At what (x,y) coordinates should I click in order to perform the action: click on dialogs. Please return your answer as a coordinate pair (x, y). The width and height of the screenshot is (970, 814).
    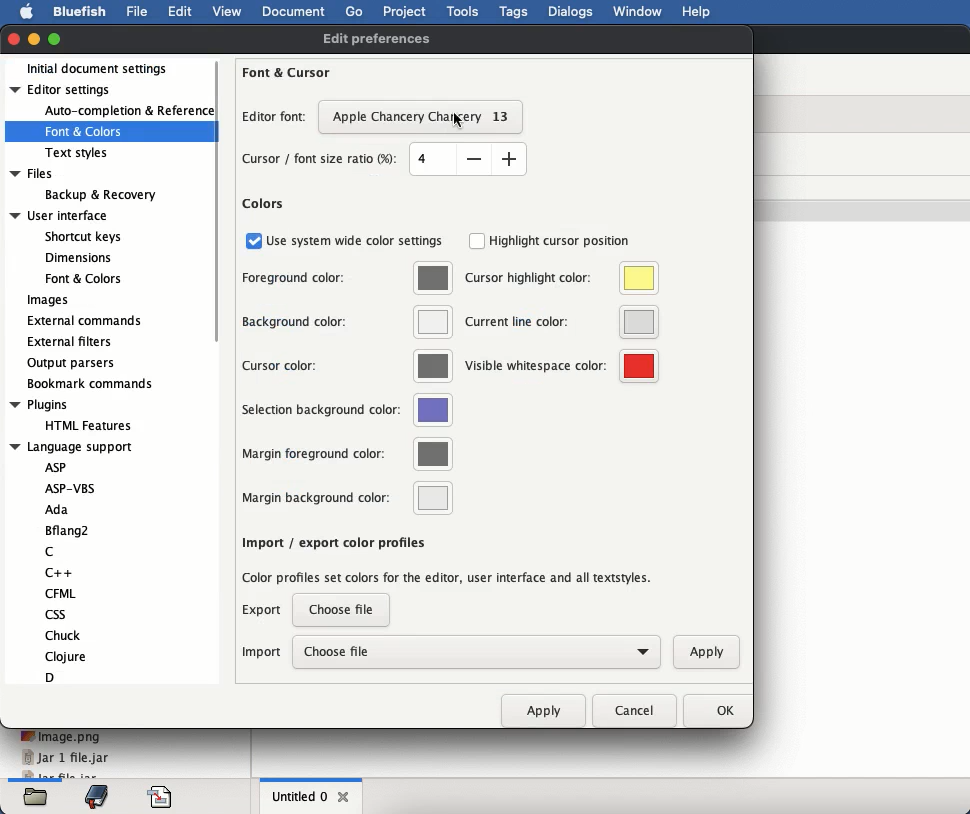
    Looking at the image, I should click on (572, 12).